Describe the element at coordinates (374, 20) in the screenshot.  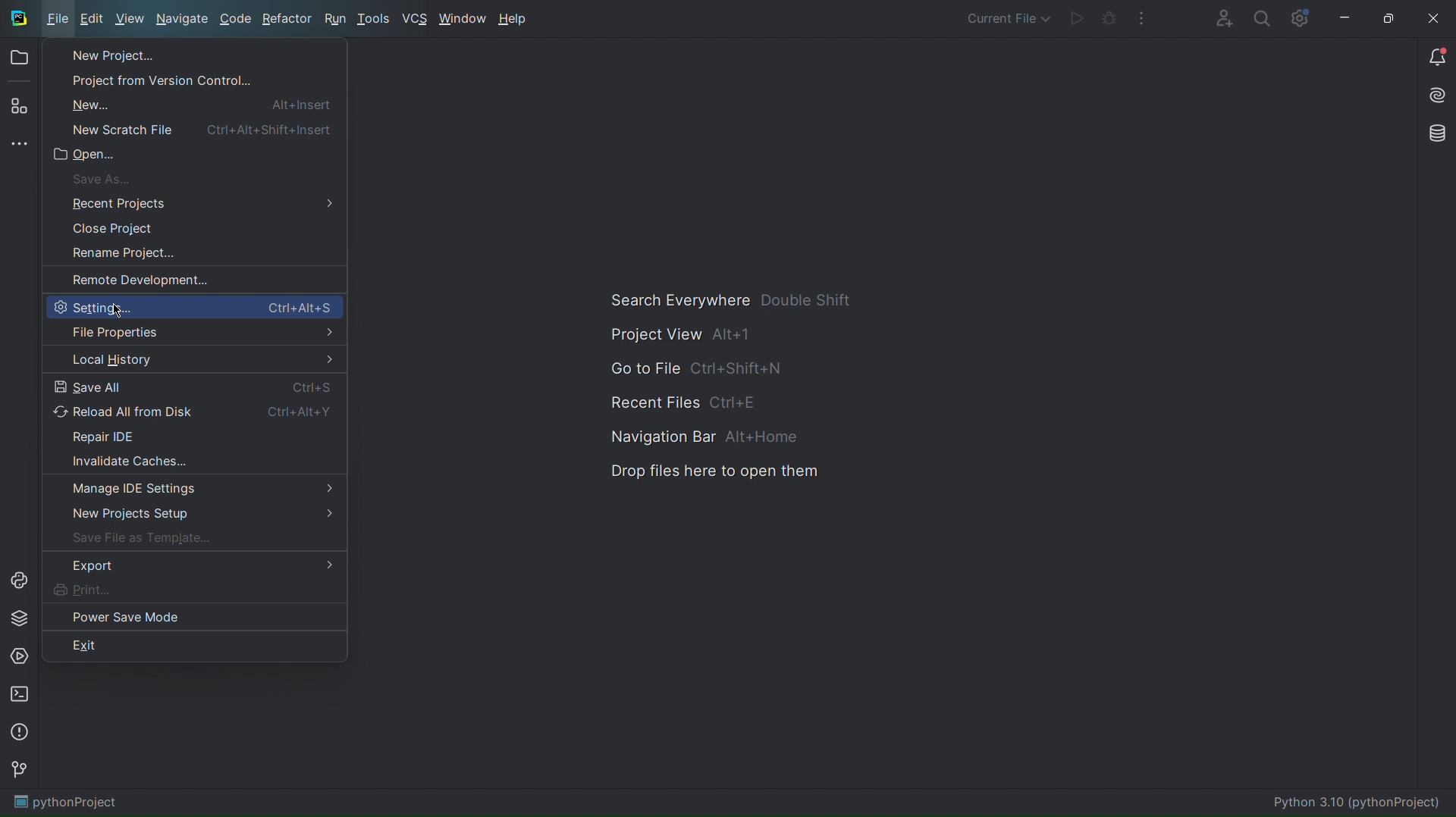
I see `Tools` at that location.